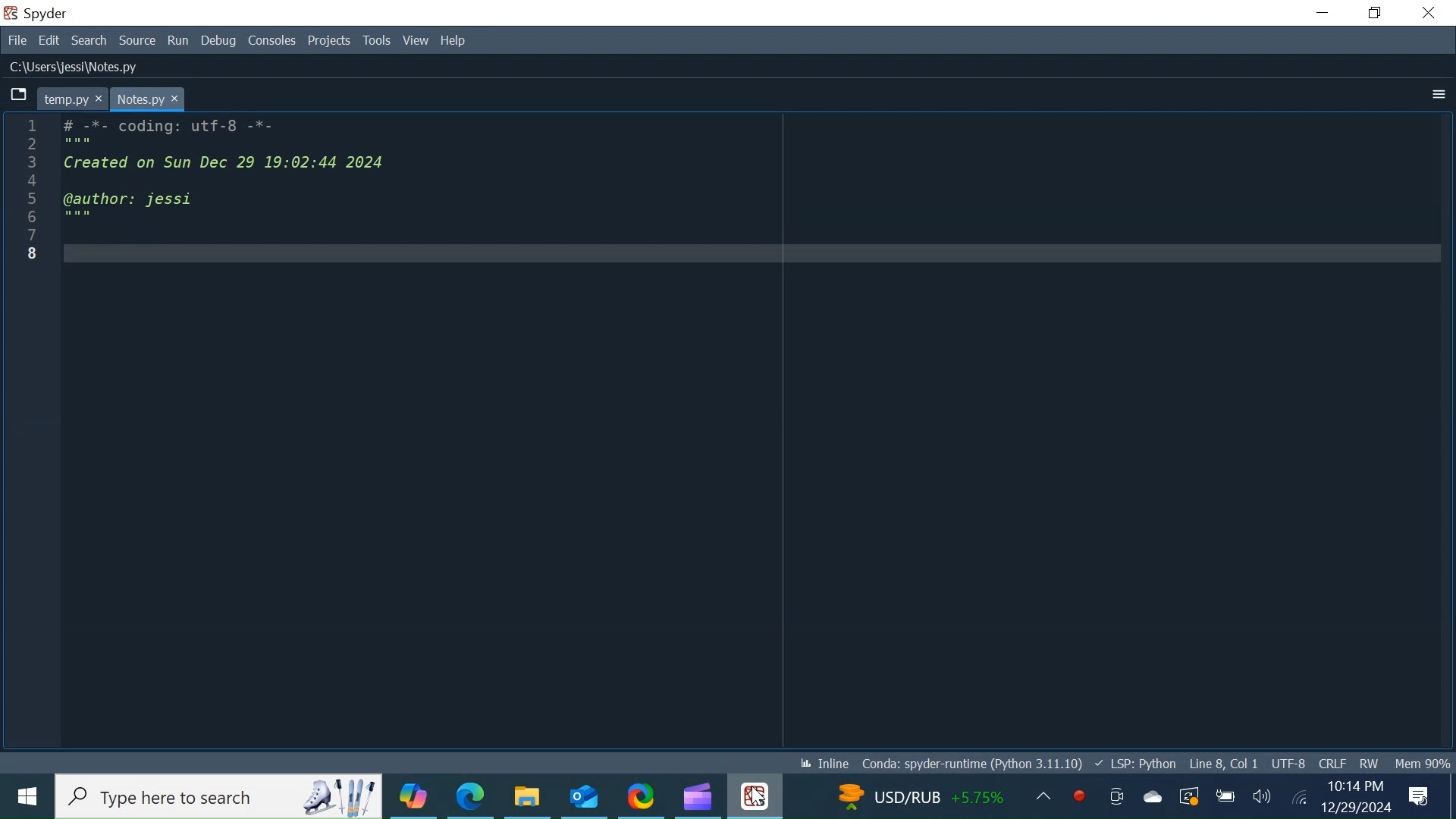 The width and height of the screenshot is (1456, 819). I want to click on Run, so click(179, 39).